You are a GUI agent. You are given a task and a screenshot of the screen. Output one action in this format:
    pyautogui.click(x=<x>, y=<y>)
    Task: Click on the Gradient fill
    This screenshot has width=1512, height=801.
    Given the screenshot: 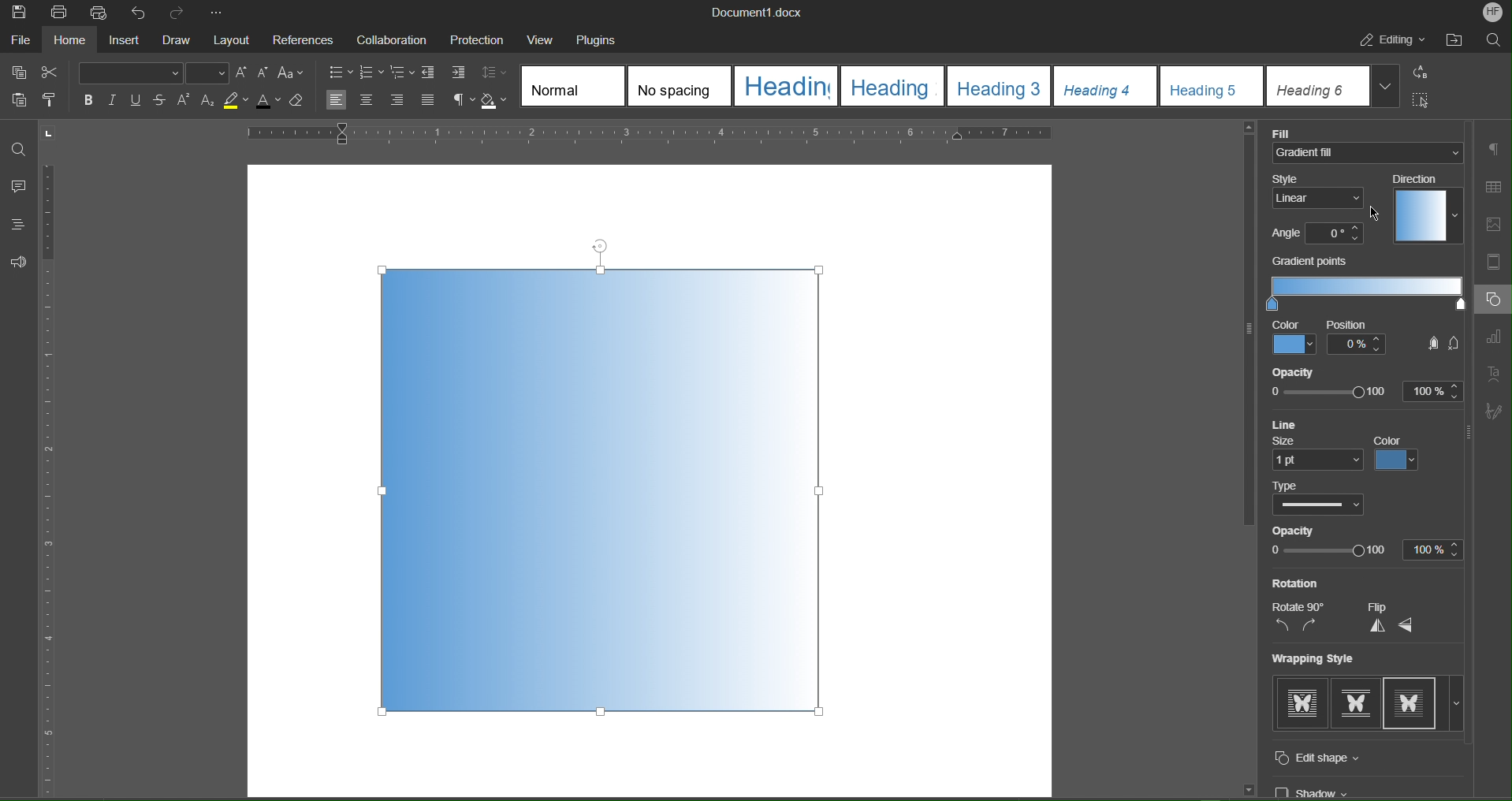 What is the action you would take?
    pyautogui.click(x=1370, y=152)
    